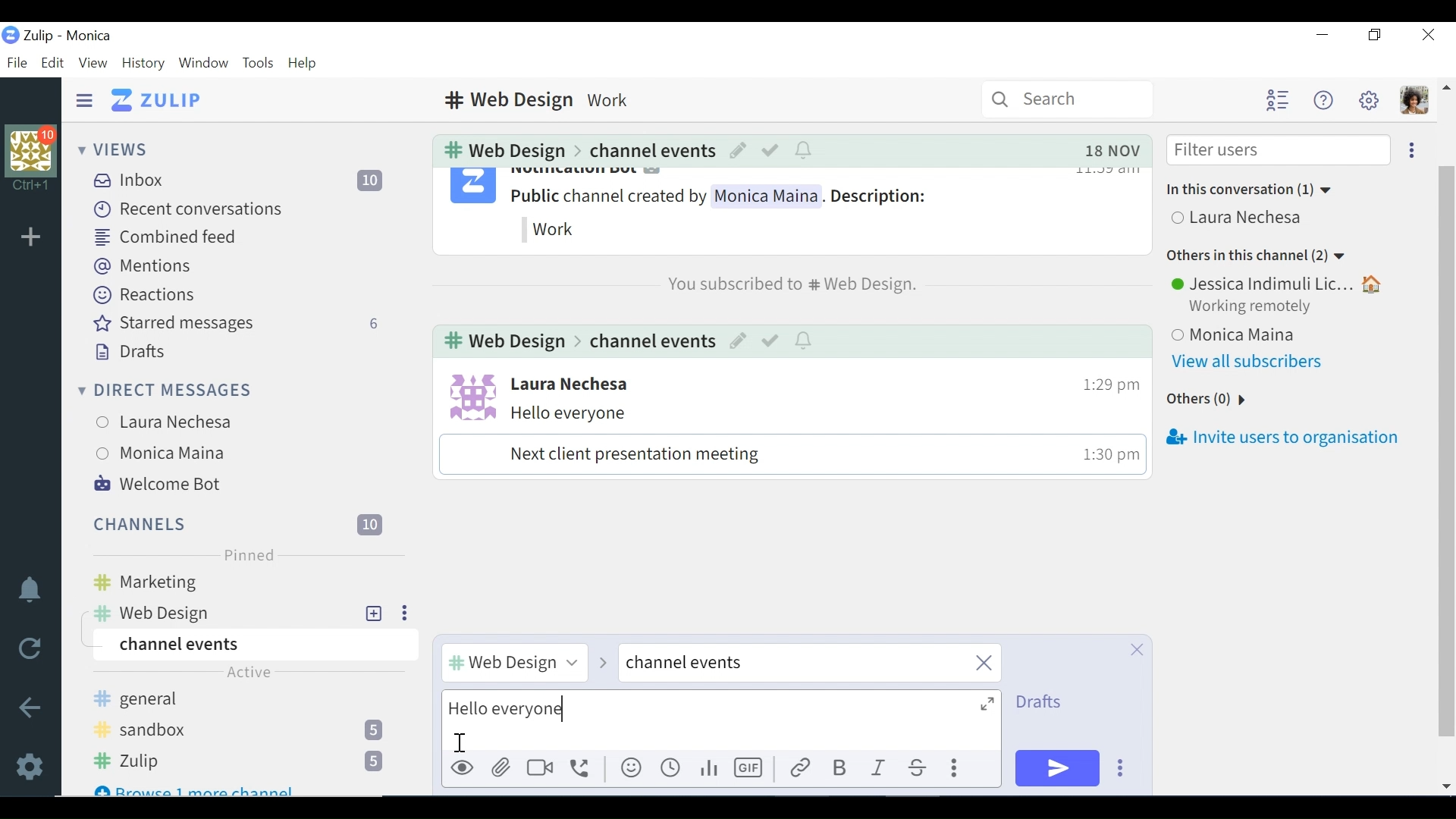 Image resolution: width=1456 pixels, height=819 pixels. Describe the element at coordinates (247, 555) in the screenshot. I see `Pinned label` at that location.